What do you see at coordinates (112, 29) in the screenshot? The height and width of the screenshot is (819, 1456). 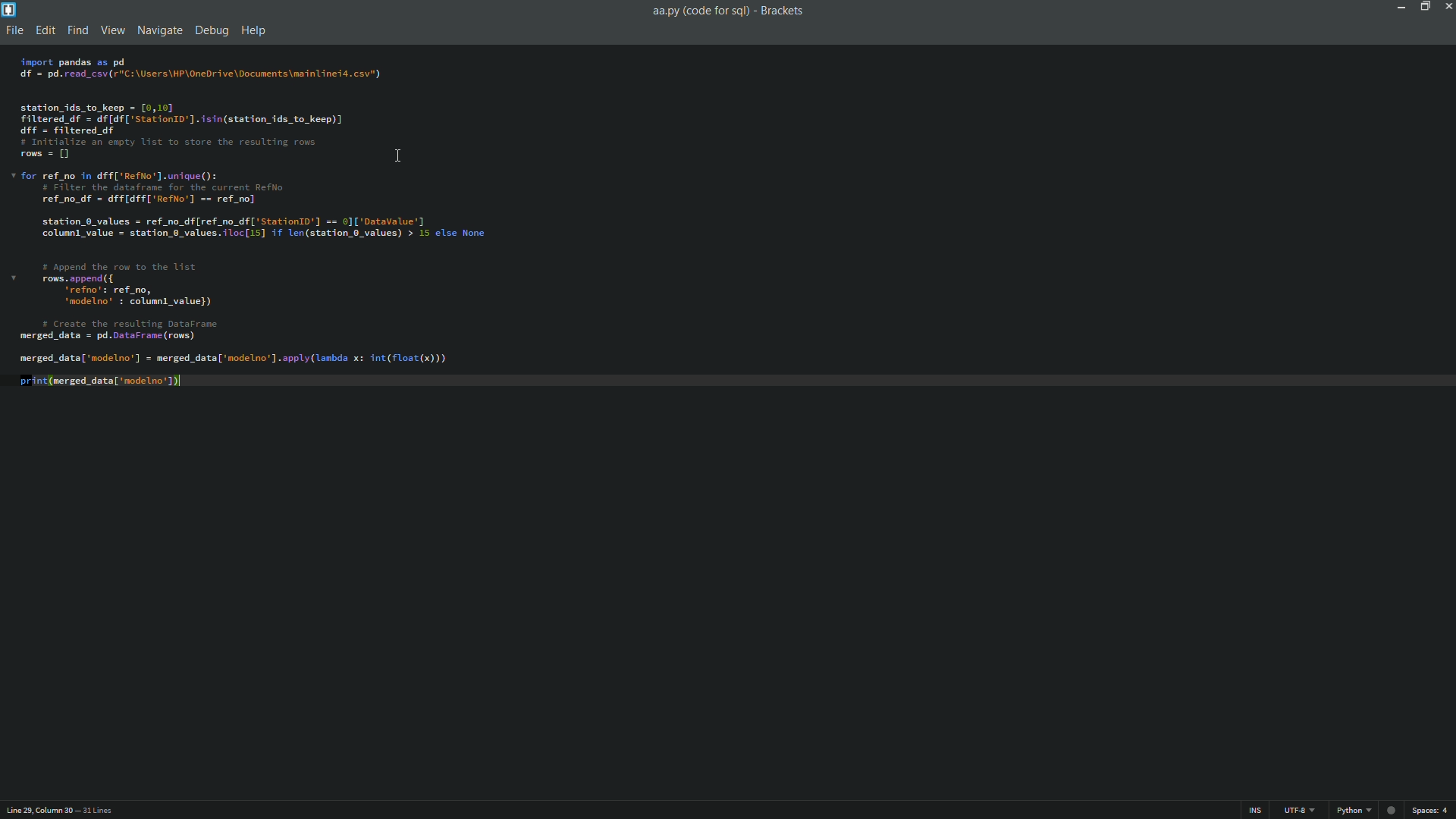 I see `view menu` at bounding box center [112, 29].